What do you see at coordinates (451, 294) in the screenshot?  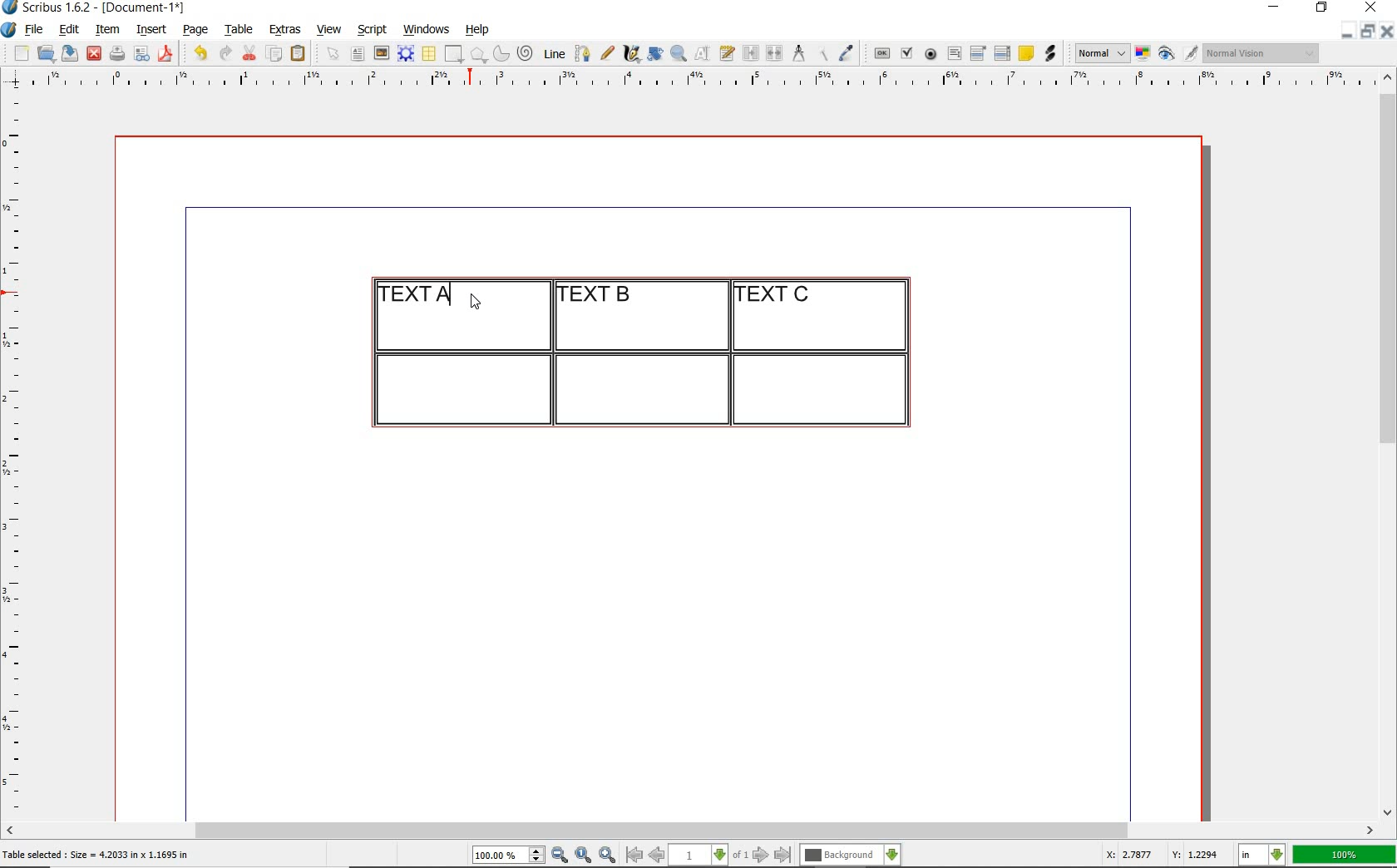 I see `editor` at bounding box center [451, 294].